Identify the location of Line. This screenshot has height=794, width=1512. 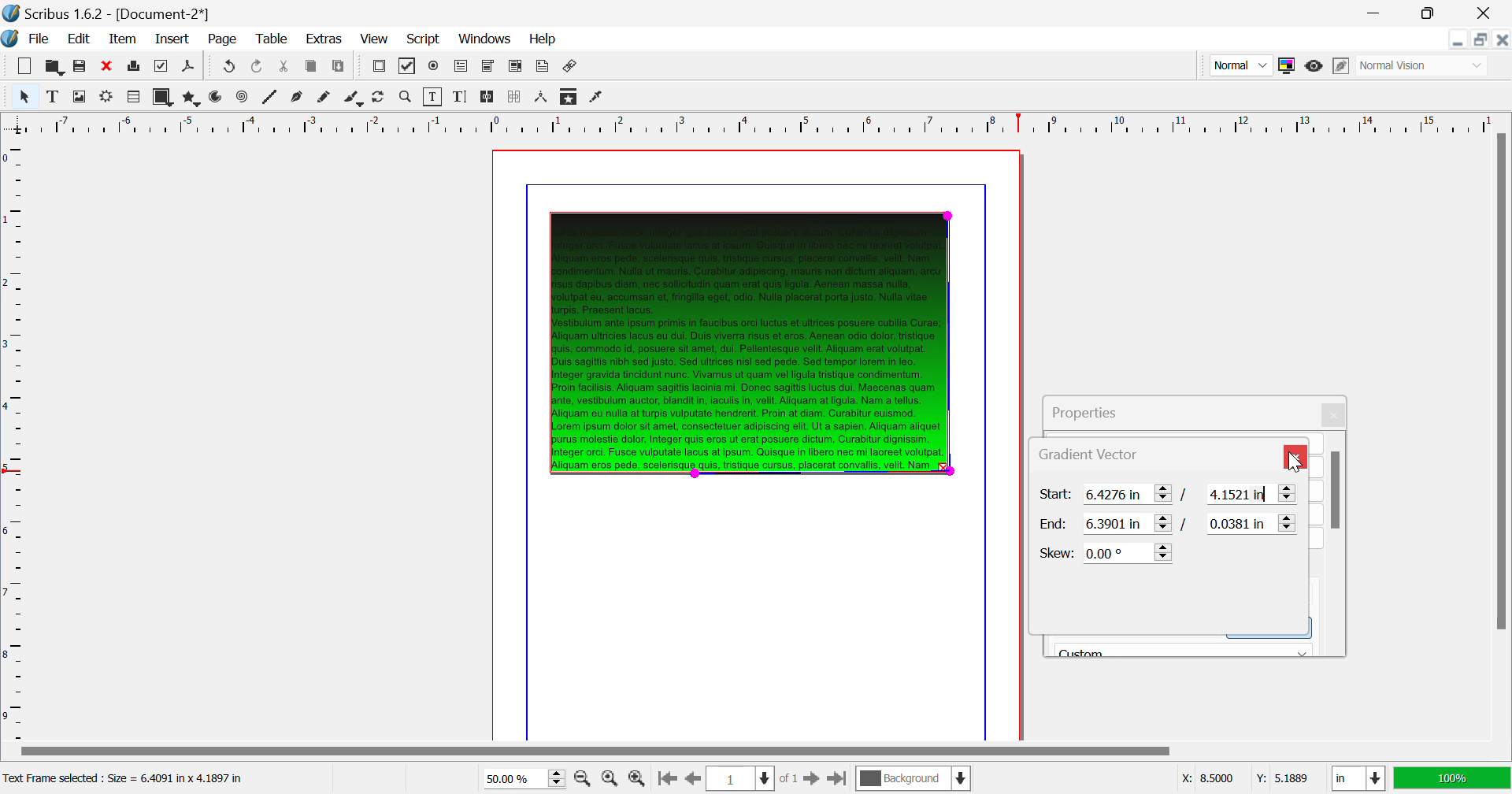
(270, 98).